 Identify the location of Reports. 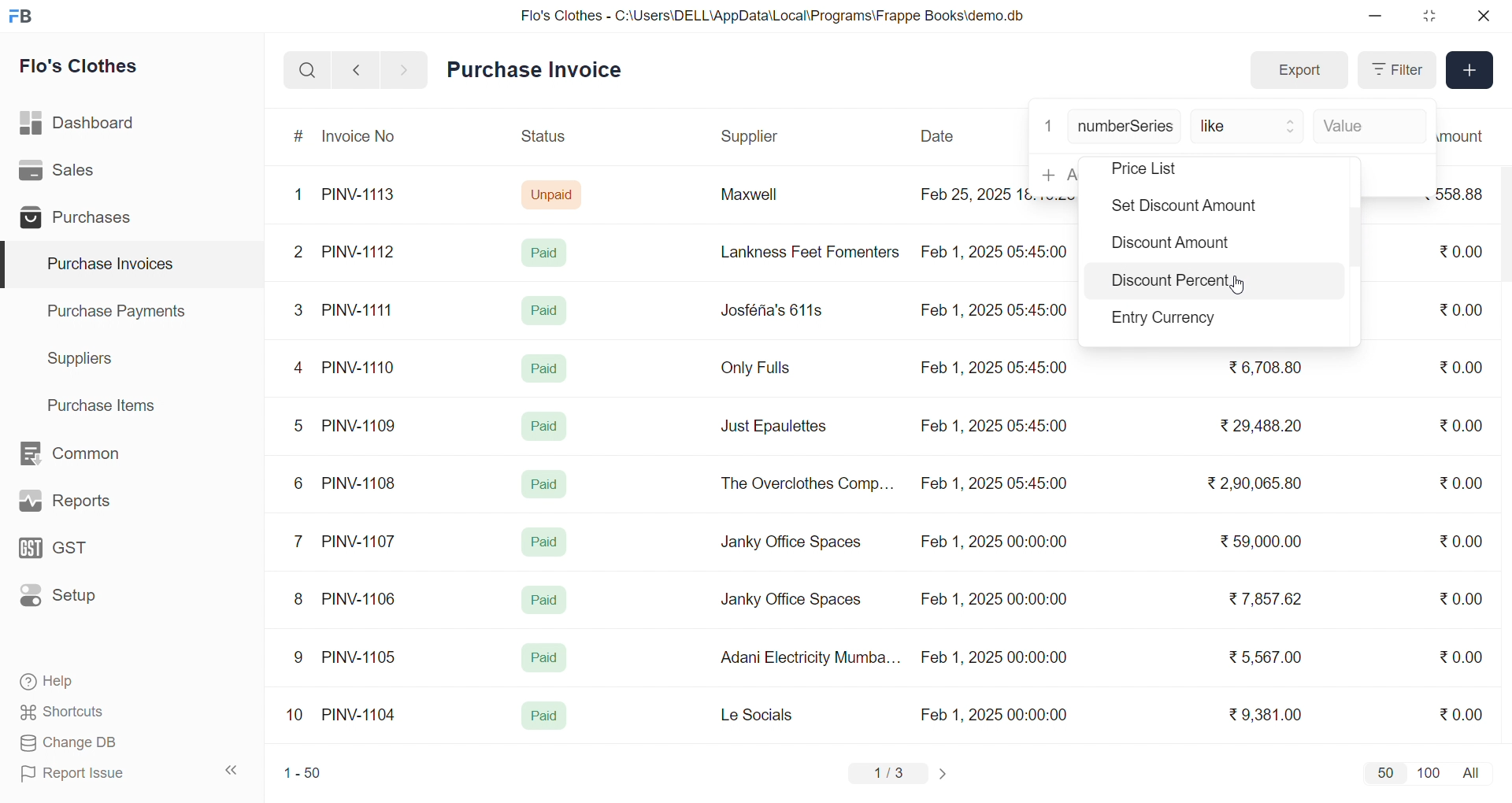
(83, 505).